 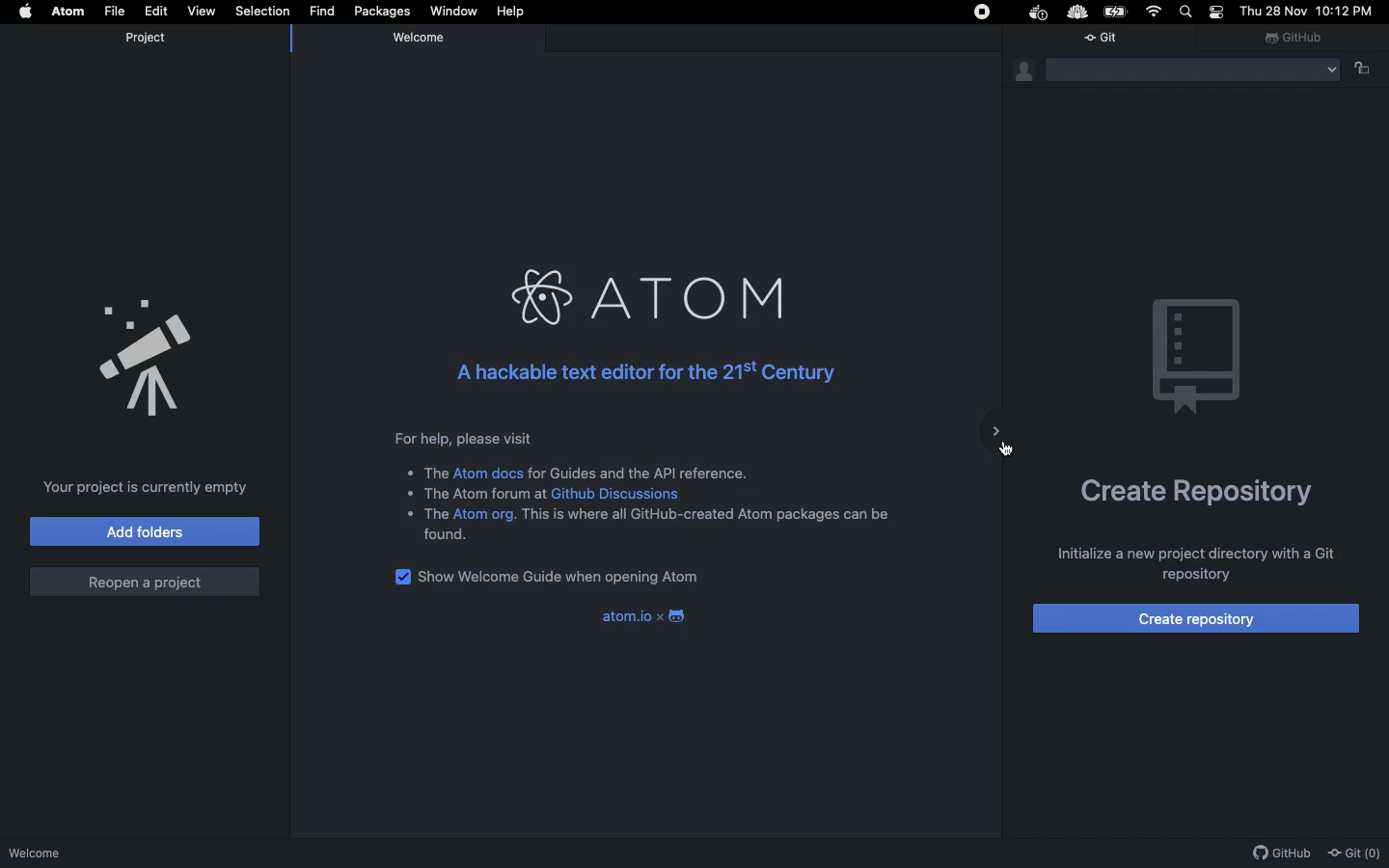 I want to click on Stop icon, so click(x=983, y=14).